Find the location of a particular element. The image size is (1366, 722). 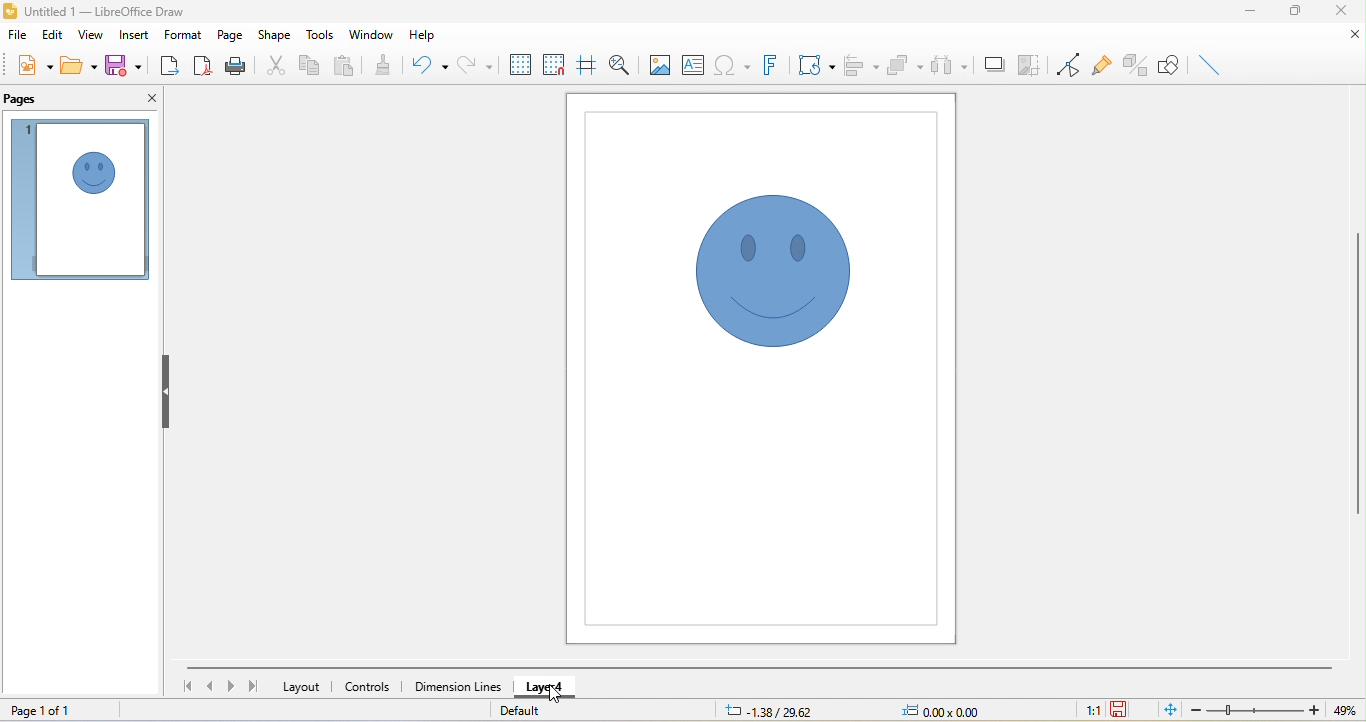

display grid is located at coordinates (522, 65).